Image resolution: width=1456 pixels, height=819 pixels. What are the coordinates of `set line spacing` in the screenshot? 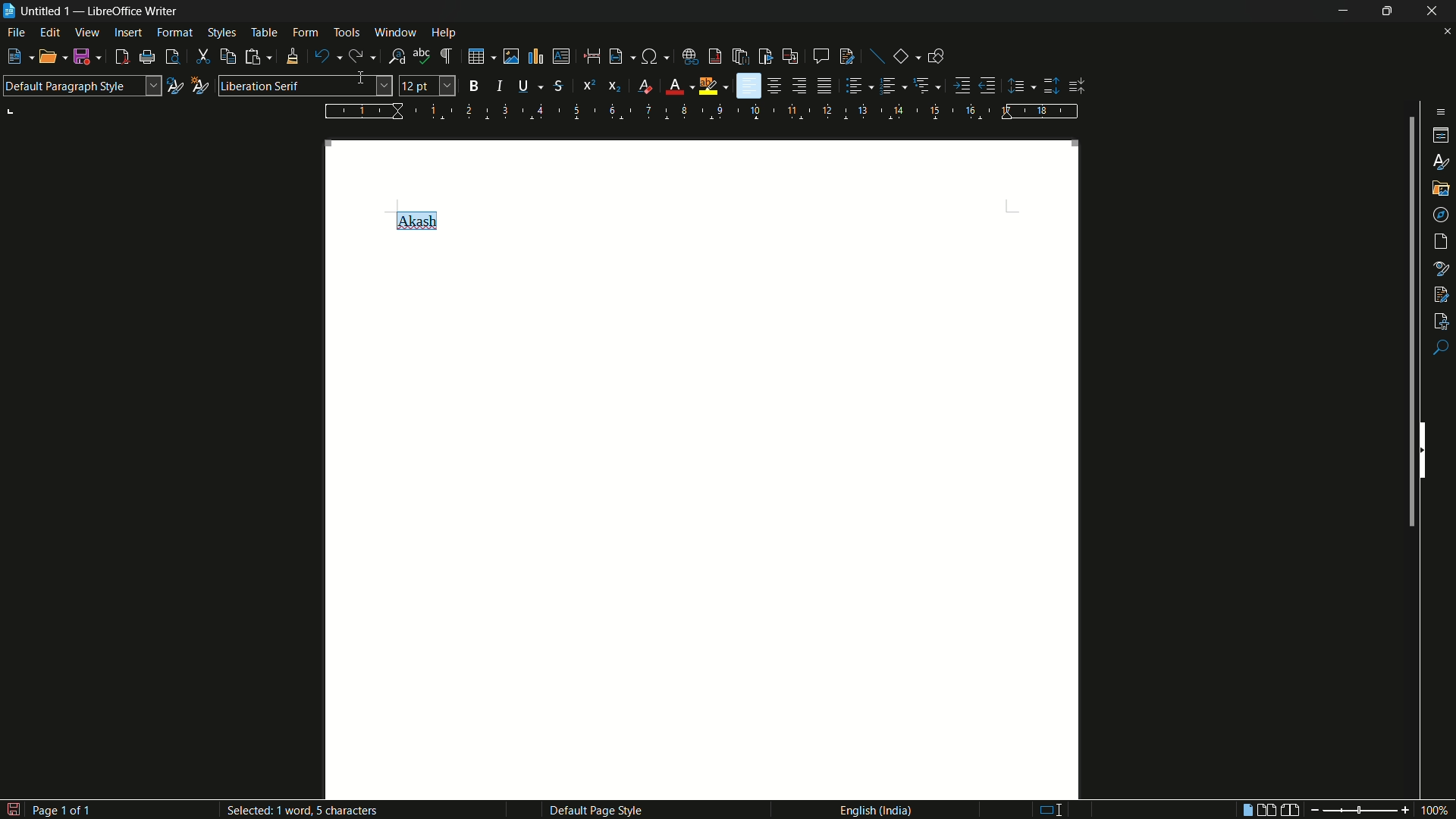 It's located at (1018, 86).